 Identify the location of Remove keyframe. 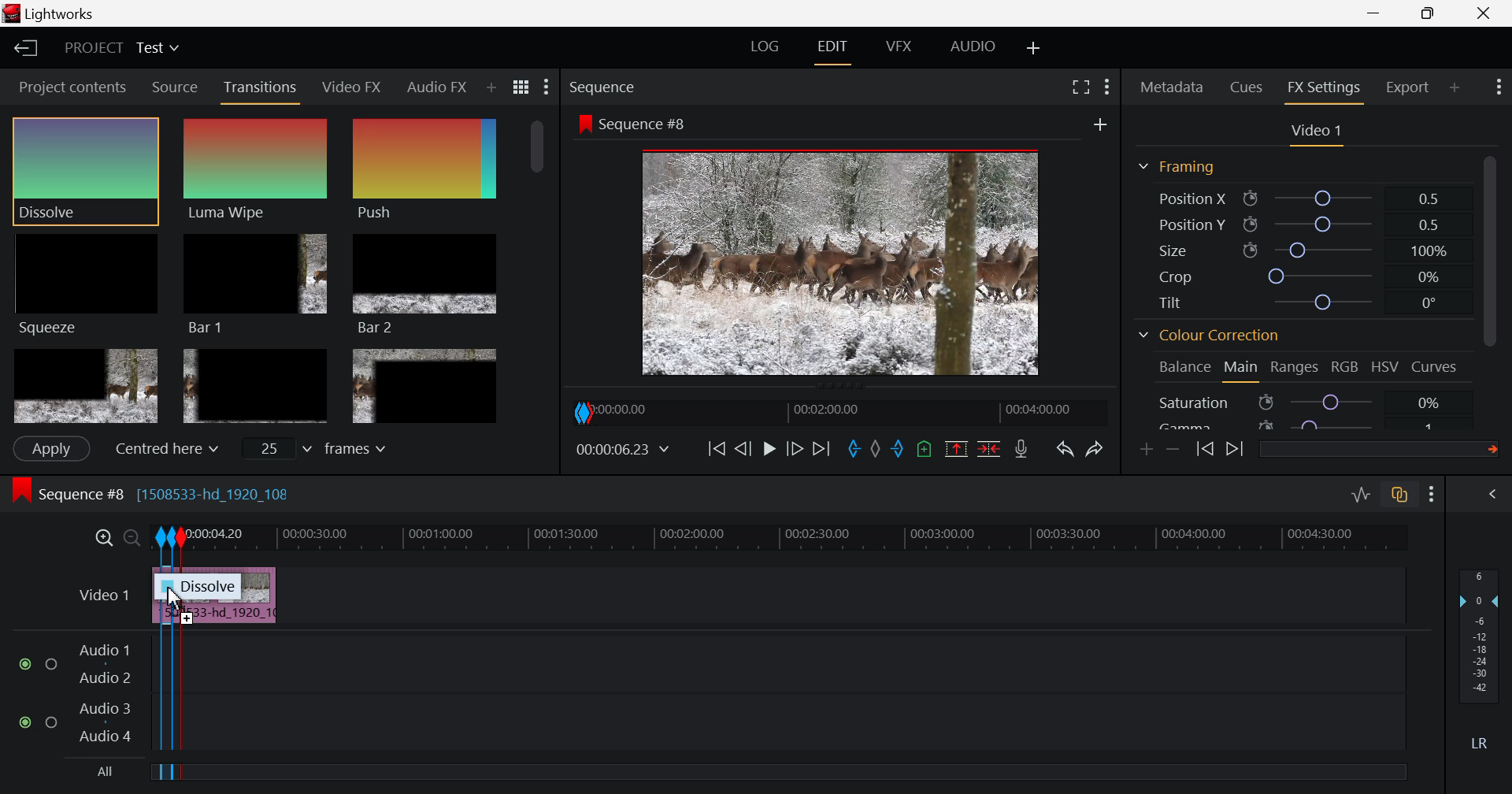
(1173, 451).